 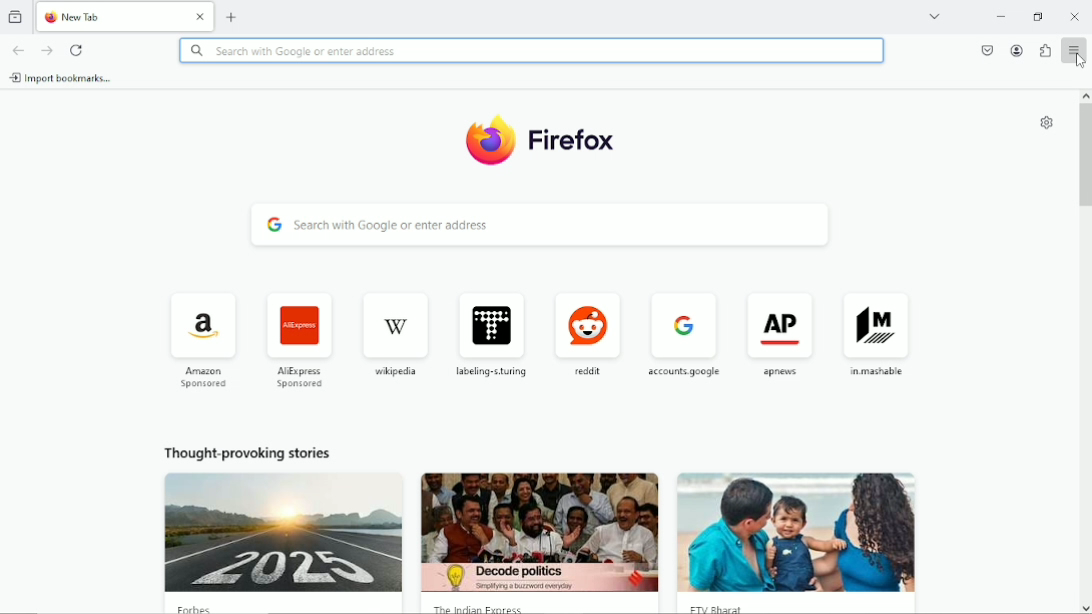 I want to click on accounts google, so click(x=680, y=333).